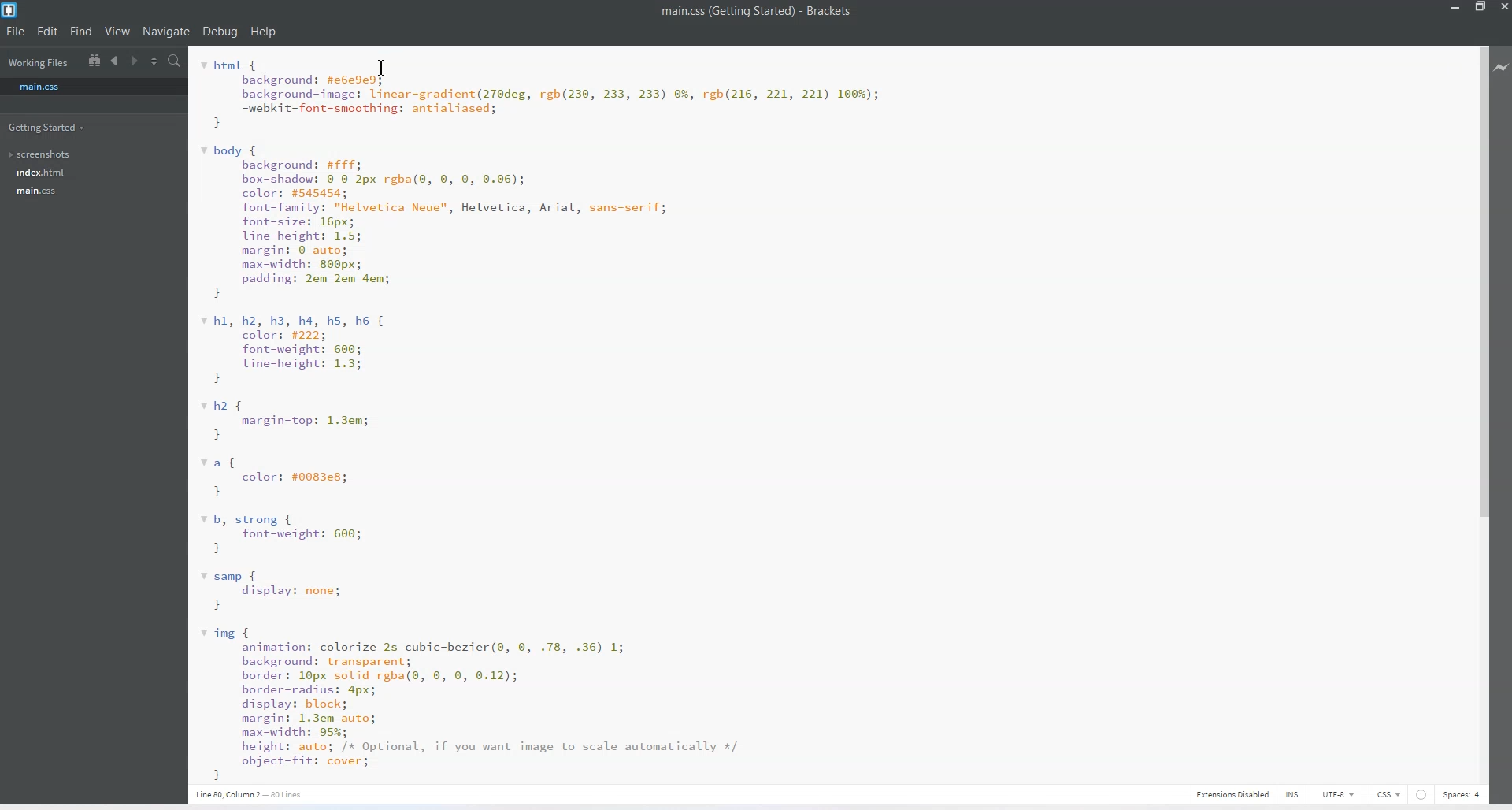  What do you see at coordinates (220, 32) in the screenshot?
I see `Debug` at bounding box center [220, 32].